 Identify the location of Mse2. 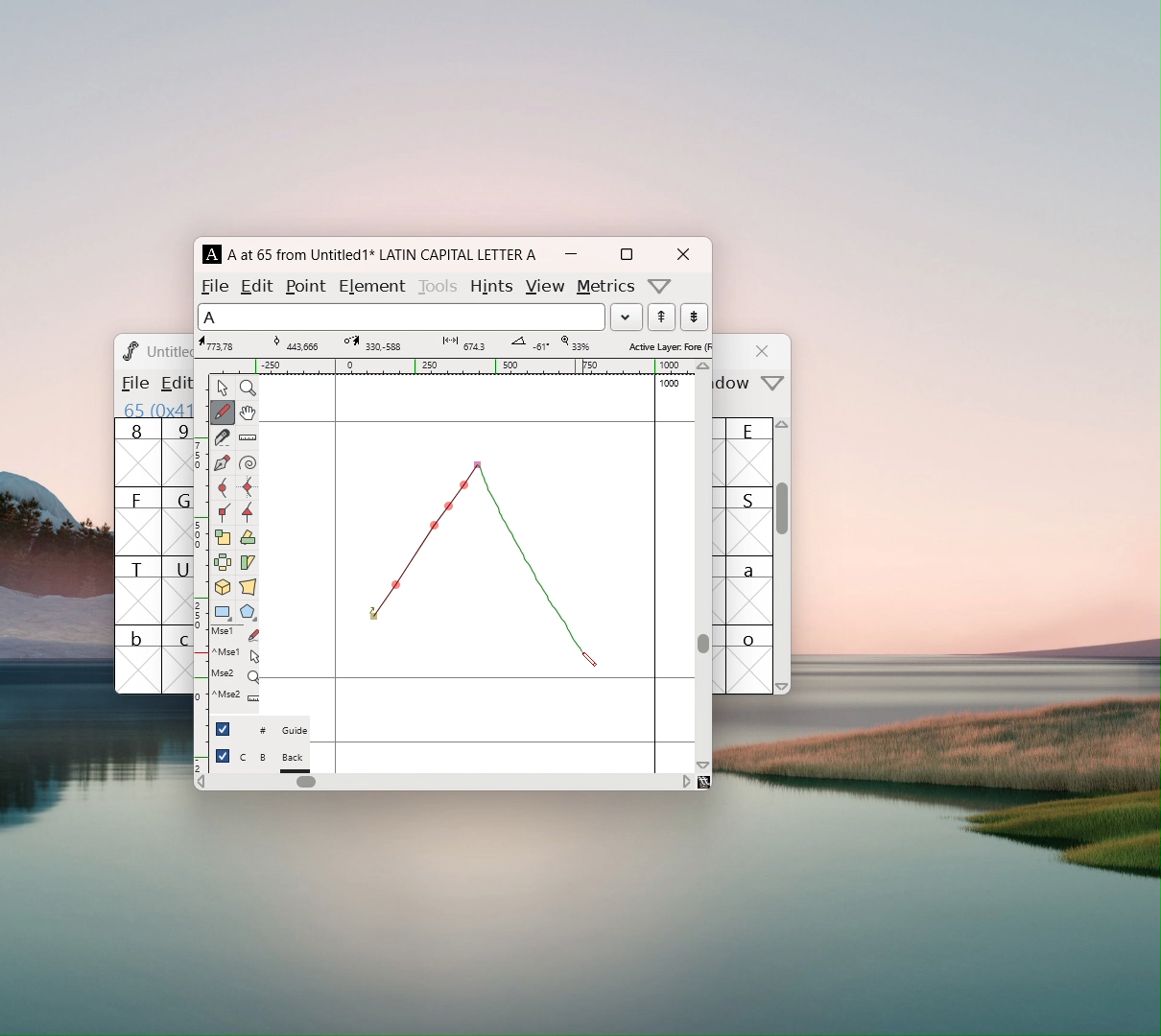
(235, 674).